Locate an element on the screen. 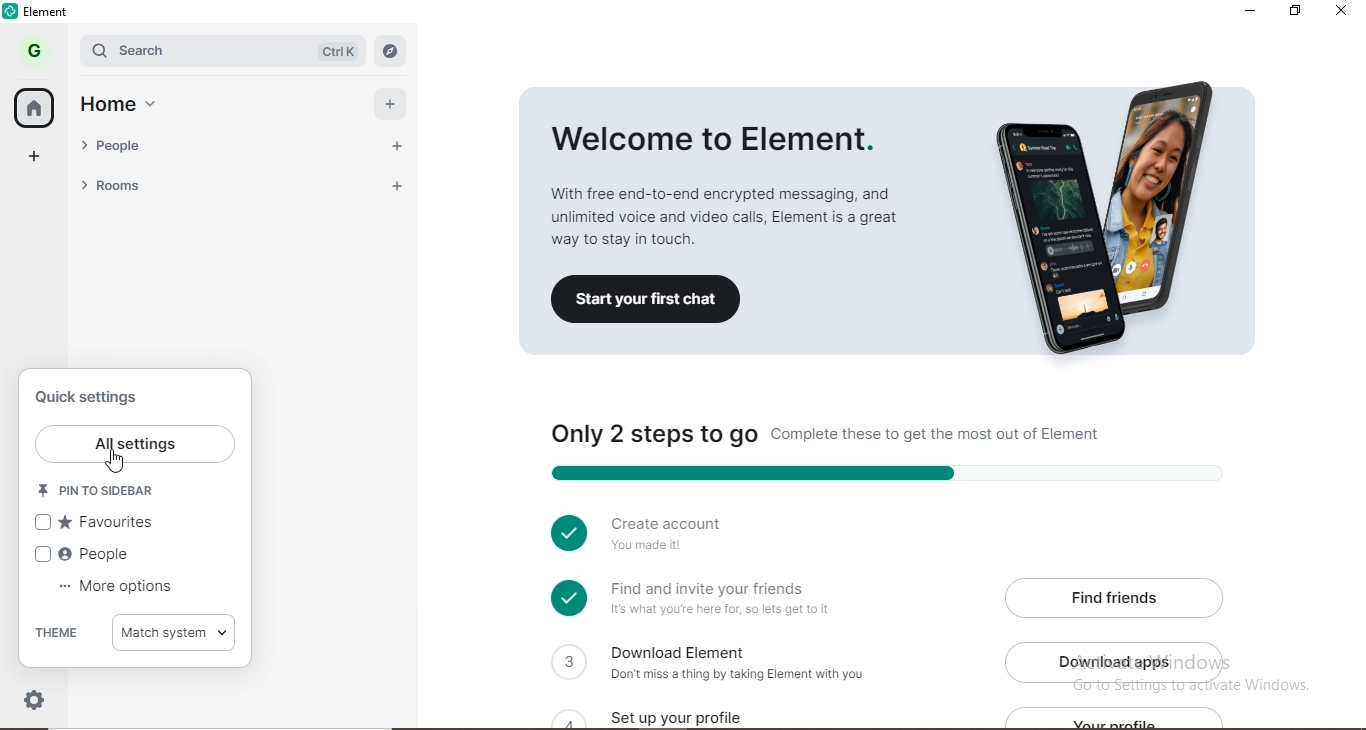 This screenshot has height=730, width=1366. Only 2 stepts to go is located at coordinates (876, 436).